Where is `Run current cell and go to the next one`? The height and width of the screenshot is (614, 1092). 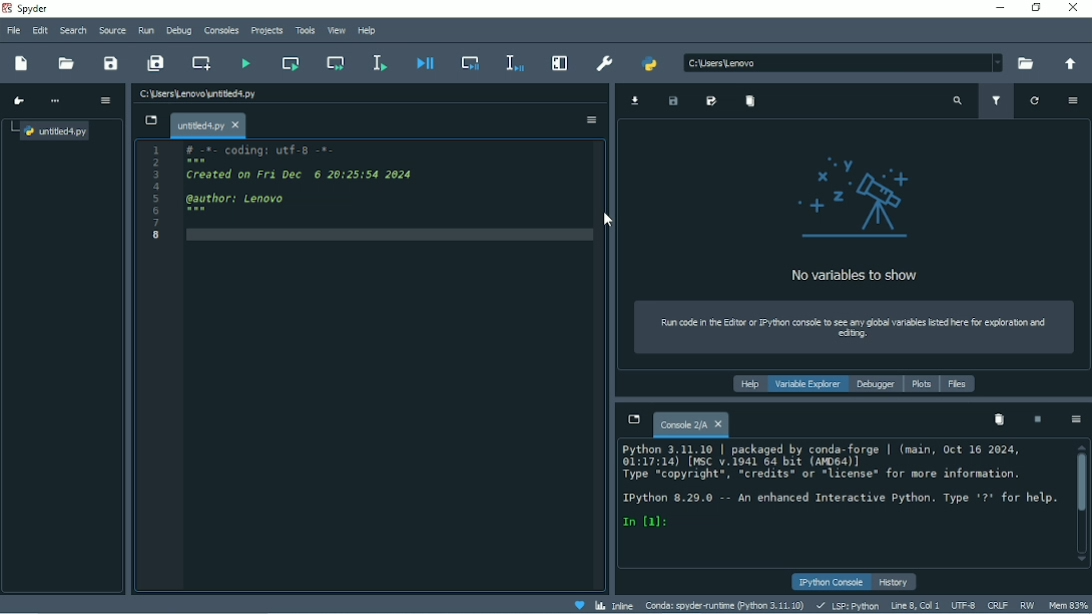
Run current cell and go to the next one is located at coordinates (339, 63).